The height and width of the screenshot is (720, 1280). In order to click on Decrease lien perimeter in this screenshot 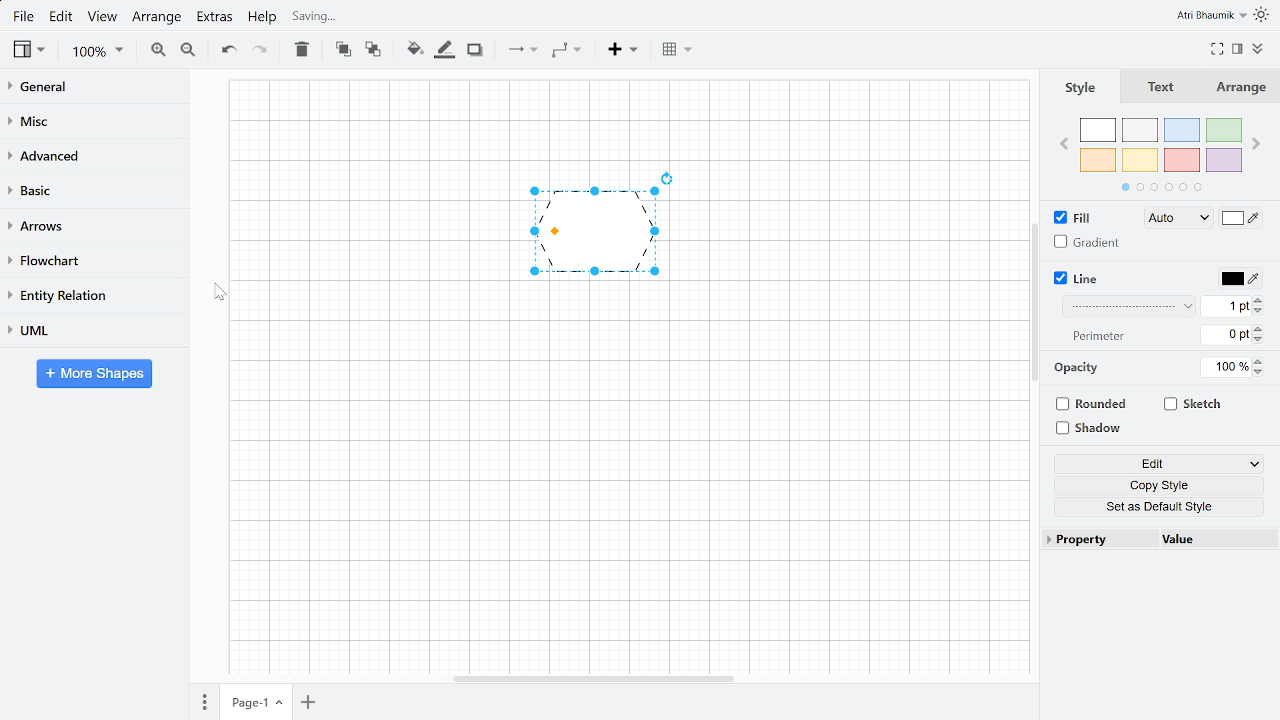, I will do `click(1260, 340)`.